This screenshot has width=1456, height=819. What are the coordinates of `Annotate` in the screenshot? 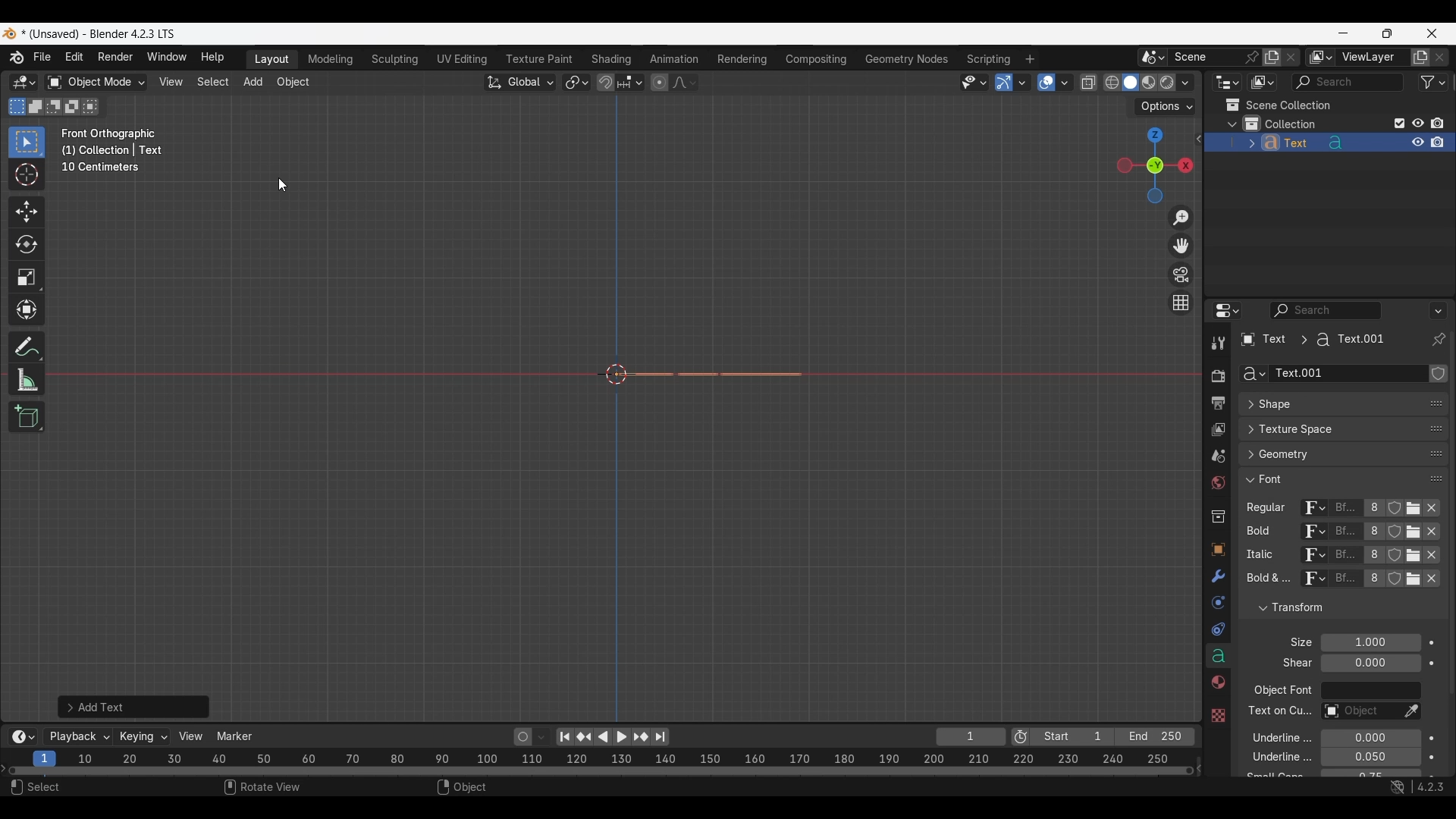 It's located at (27, 347).